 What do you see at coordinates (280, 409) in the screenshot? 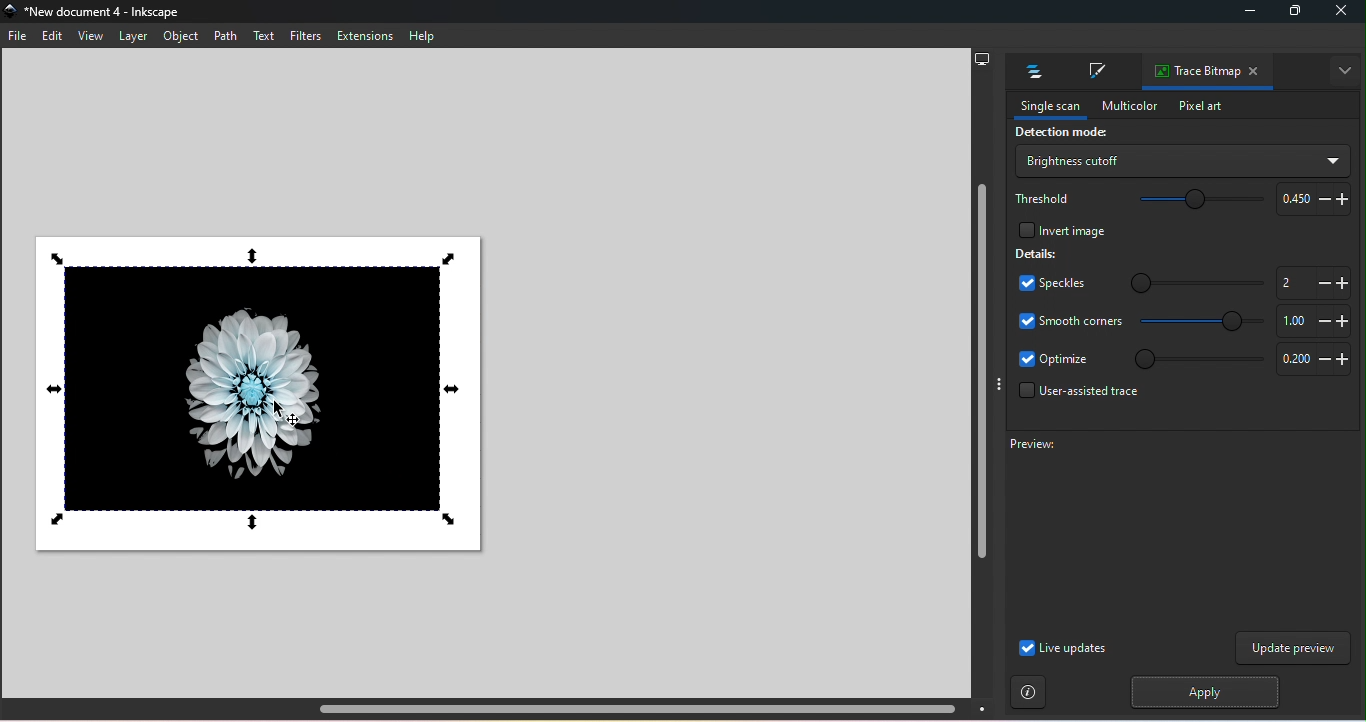
I see `cursor` at bounding box center [280, 409].